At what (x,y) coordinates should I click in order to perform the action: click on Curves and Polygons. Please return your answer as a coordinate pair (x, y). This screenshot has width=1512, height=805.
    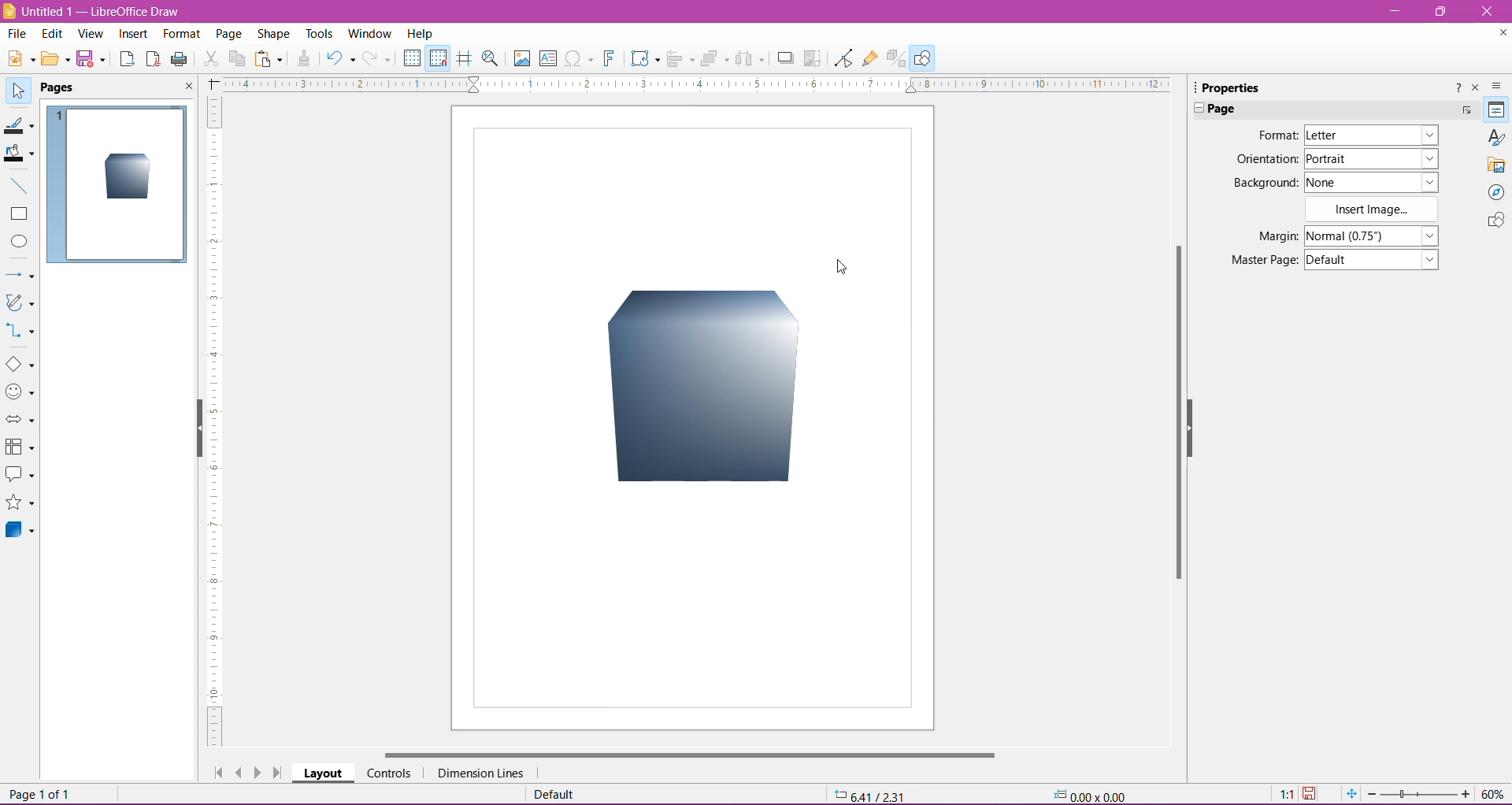
    Looking at the image, I should click on (20, 304).